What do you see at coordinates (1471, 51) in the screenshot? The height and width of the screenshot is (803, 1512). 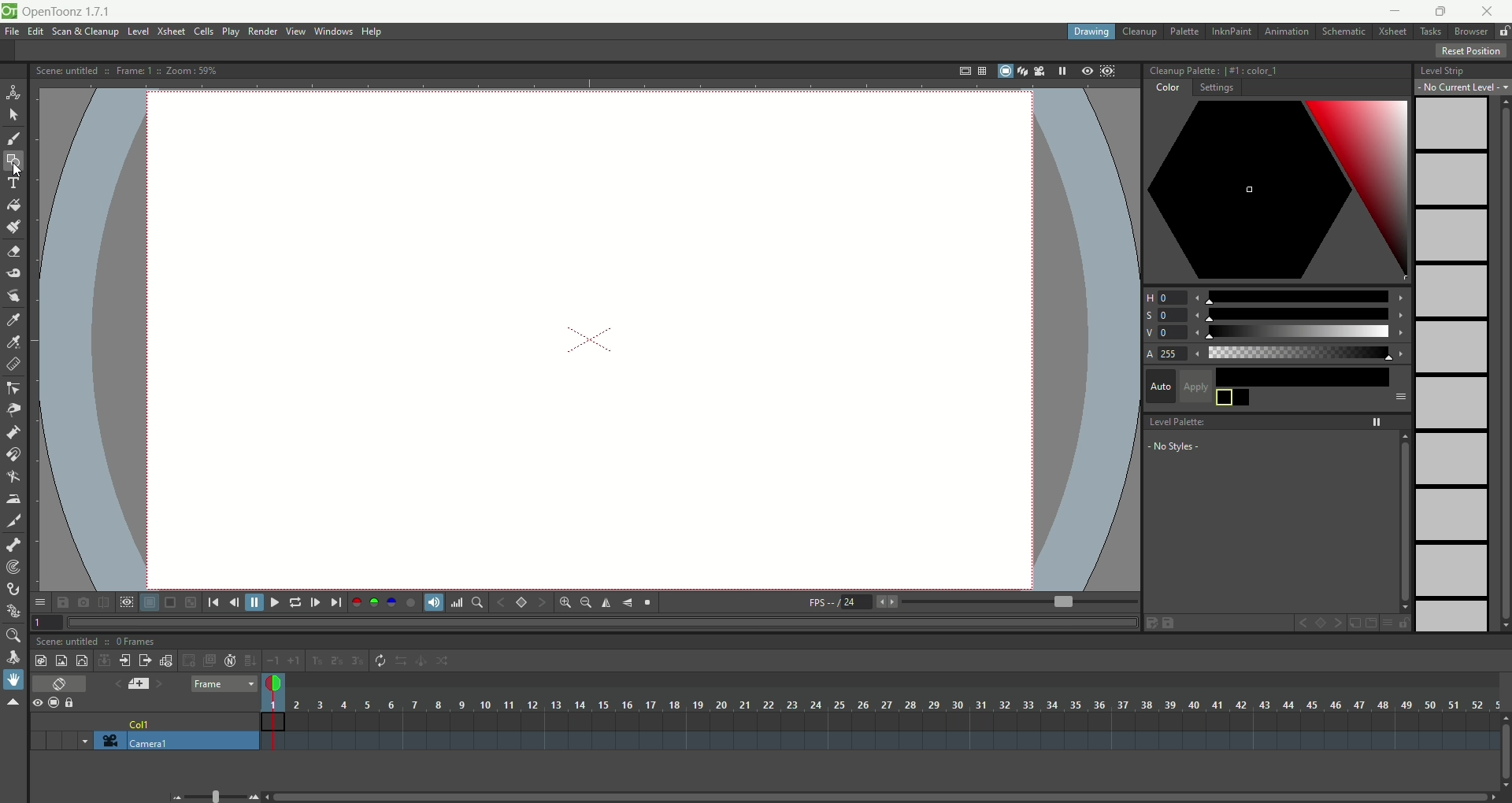 I see `Reset Position` at bounding box center [1471, 51].